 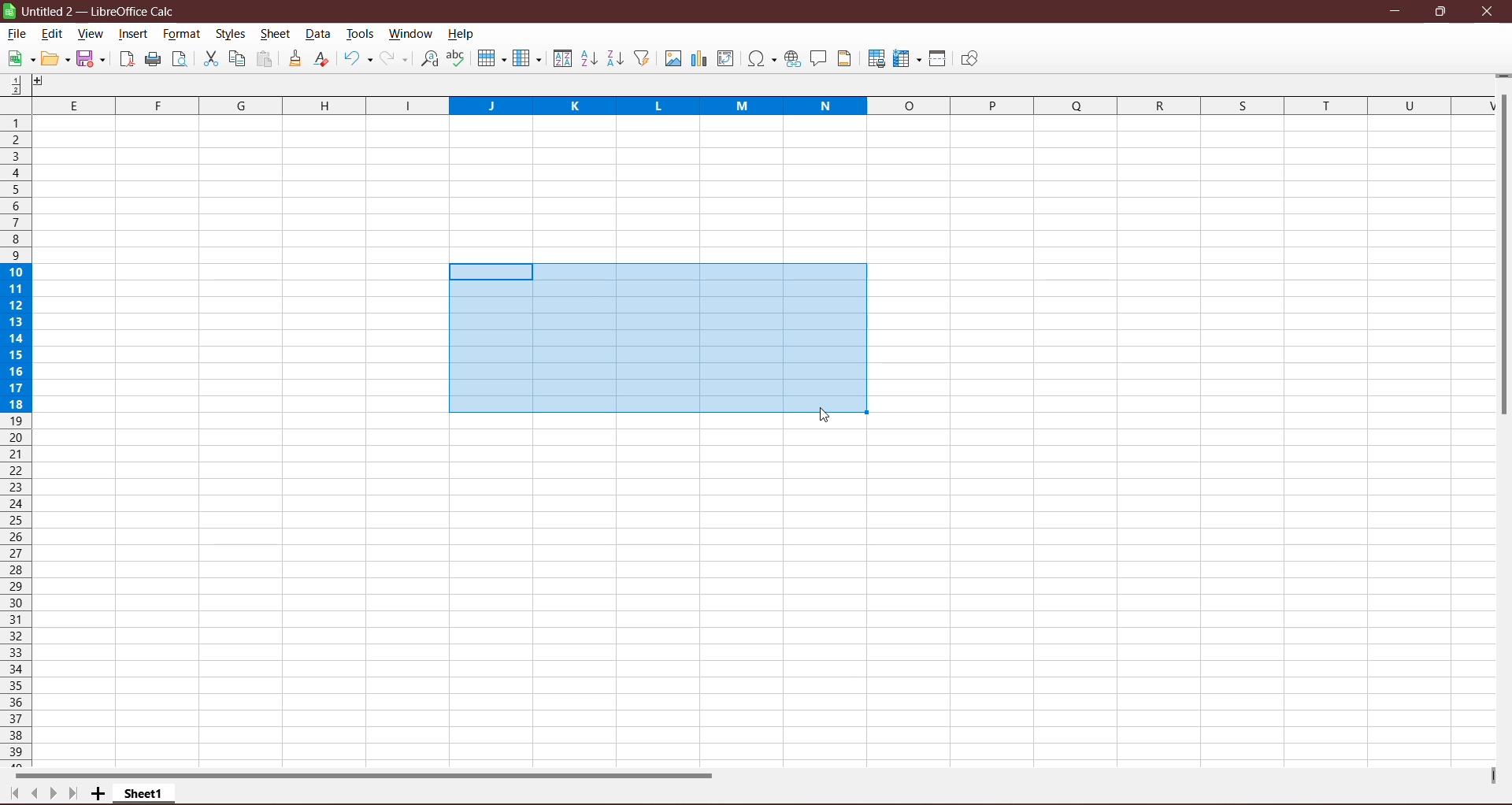 What do you see at coordinates (410, 33) in the screenshot?
I see `Window` at bounding box center [410, 33].